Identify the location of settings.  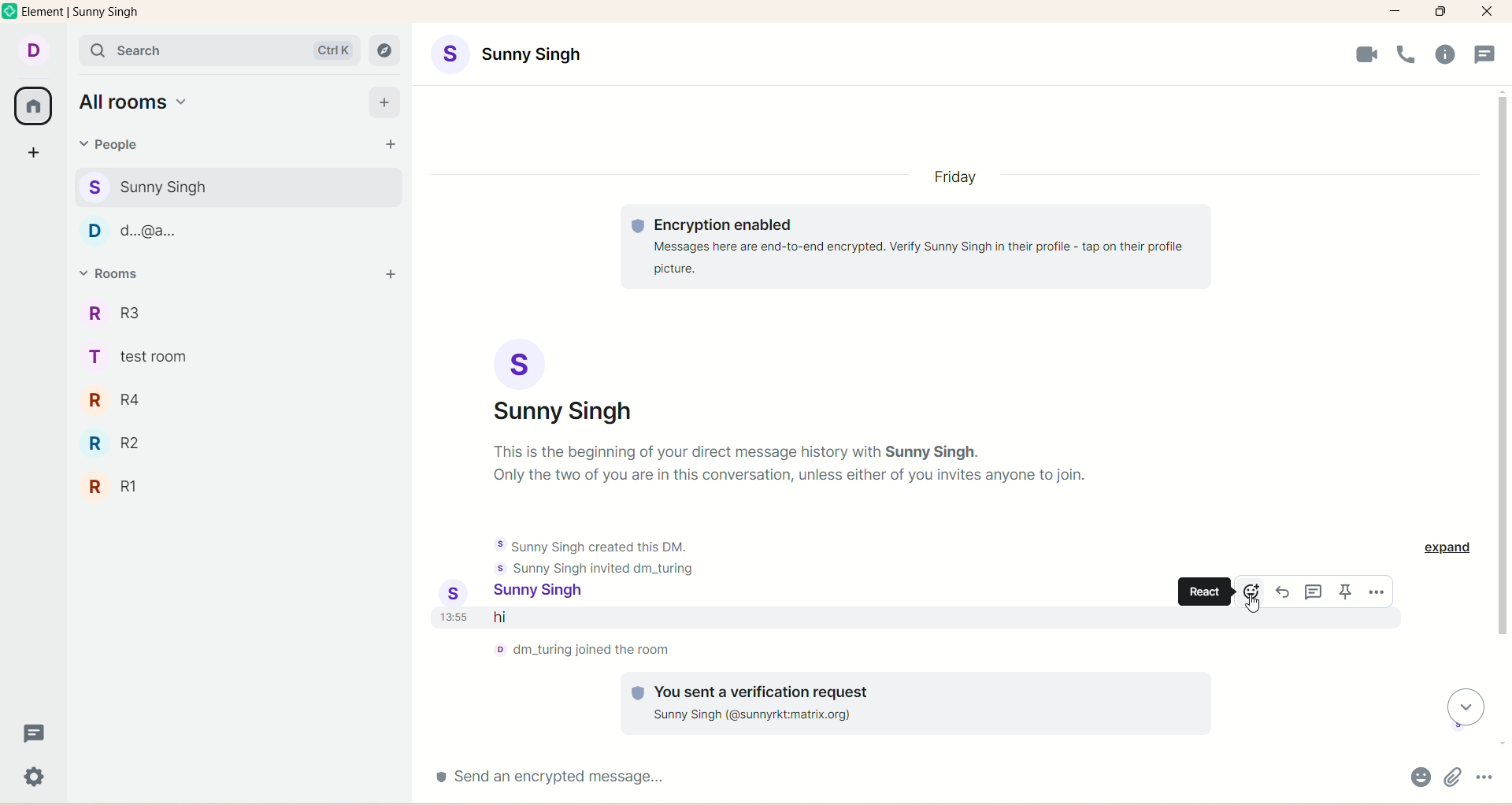
(35, 777).